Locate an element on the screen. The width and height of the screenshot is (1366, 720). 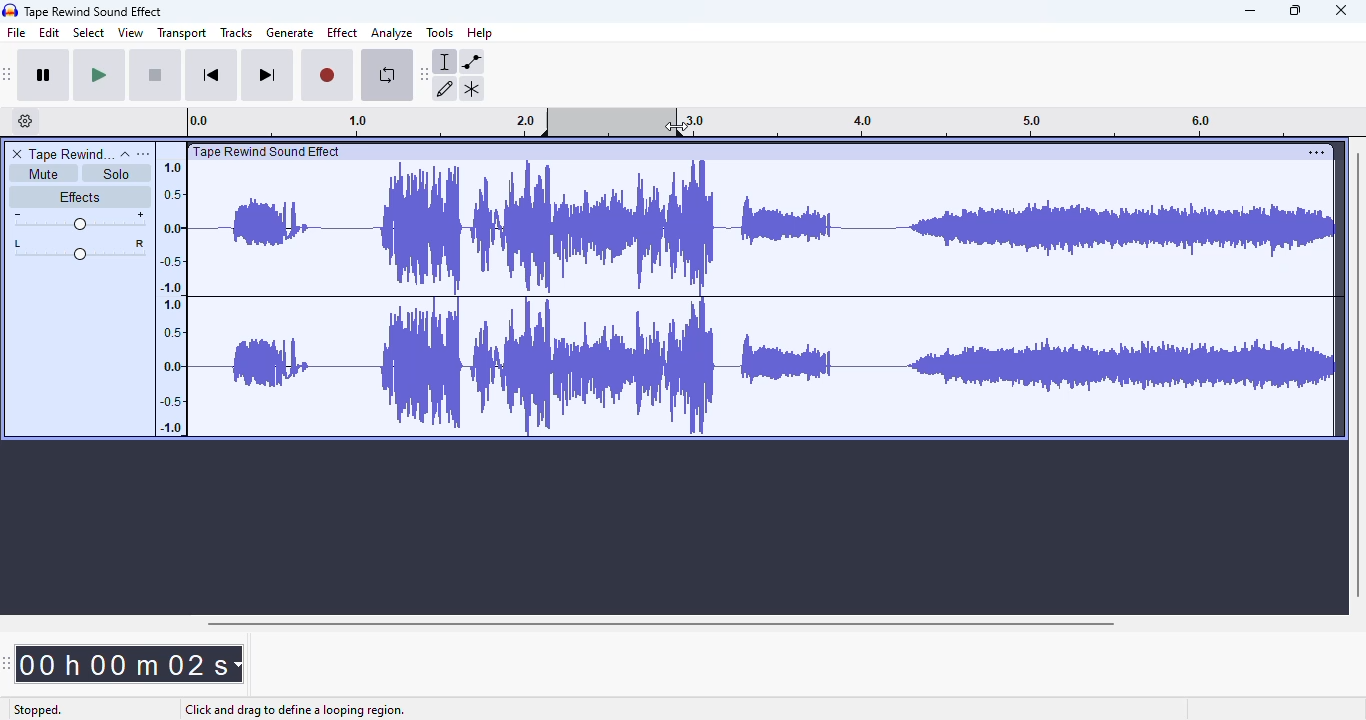
tape rewind sound effect is located at coordinates (70, 153).